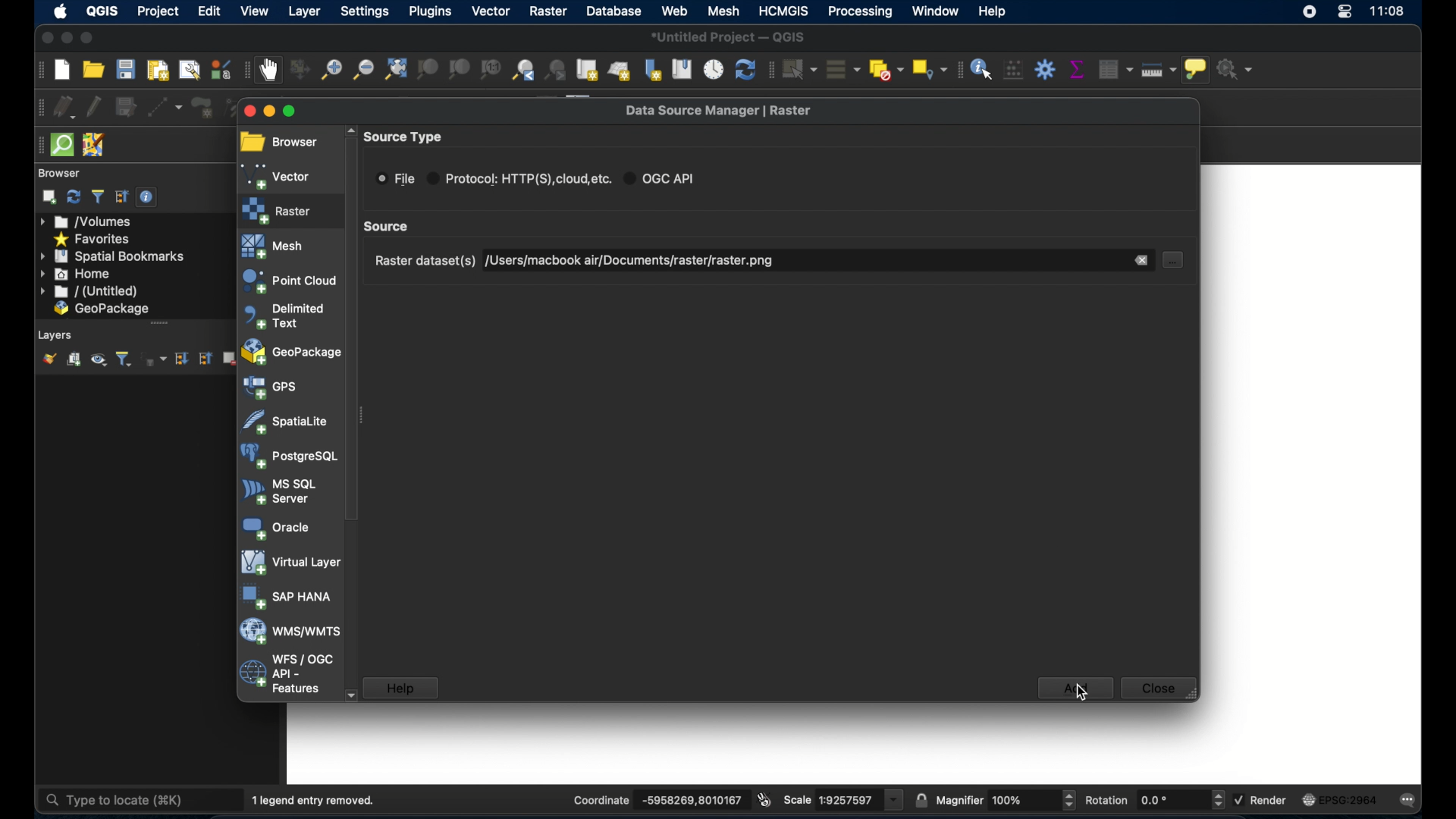  What do you see at coordinates (126, 70) in the screenshot?
I see `save project` at bounding box center [126, 70].